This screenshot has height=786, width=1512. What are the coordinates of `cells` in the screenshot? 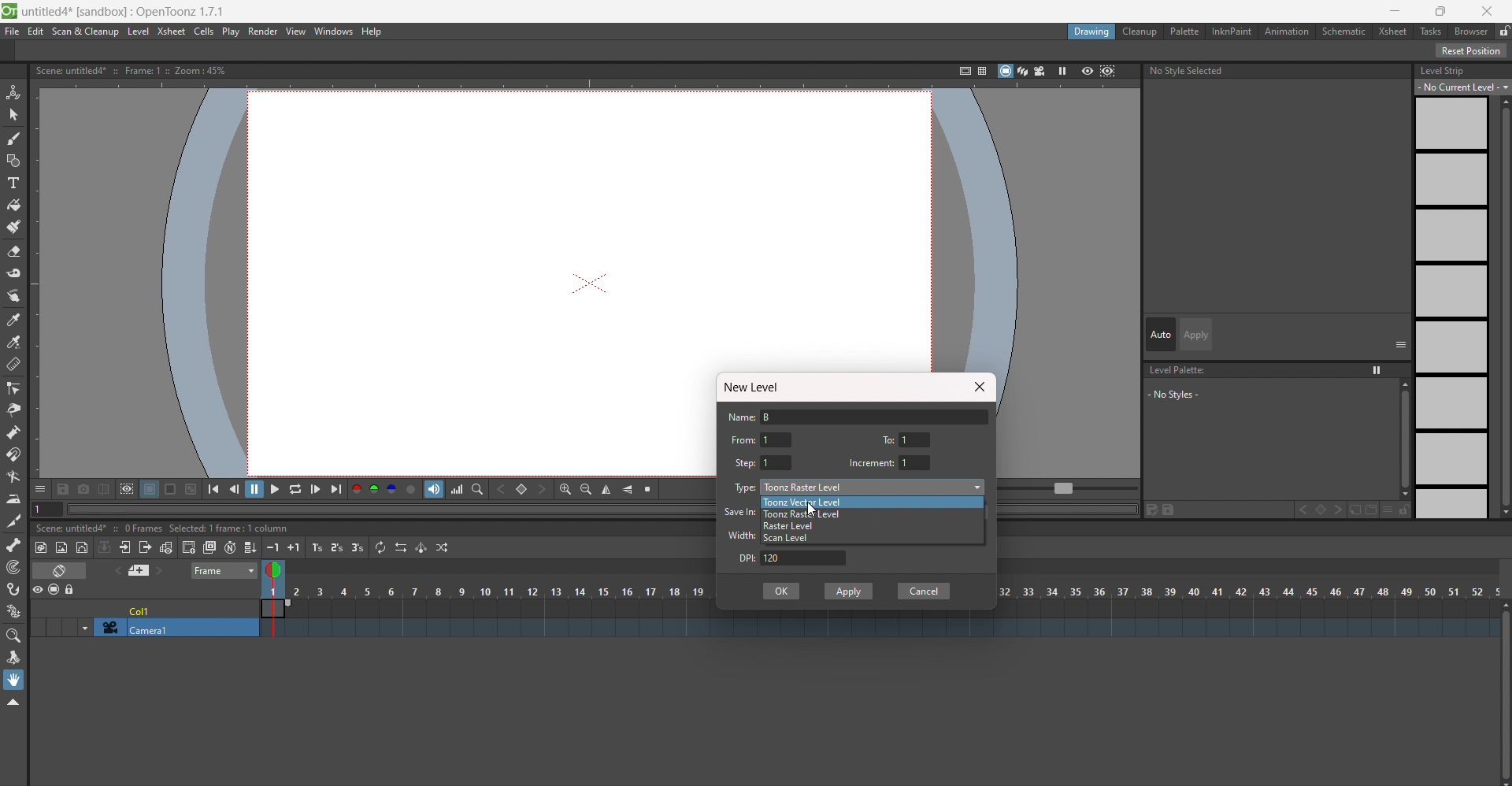 It's located at (206, 32).